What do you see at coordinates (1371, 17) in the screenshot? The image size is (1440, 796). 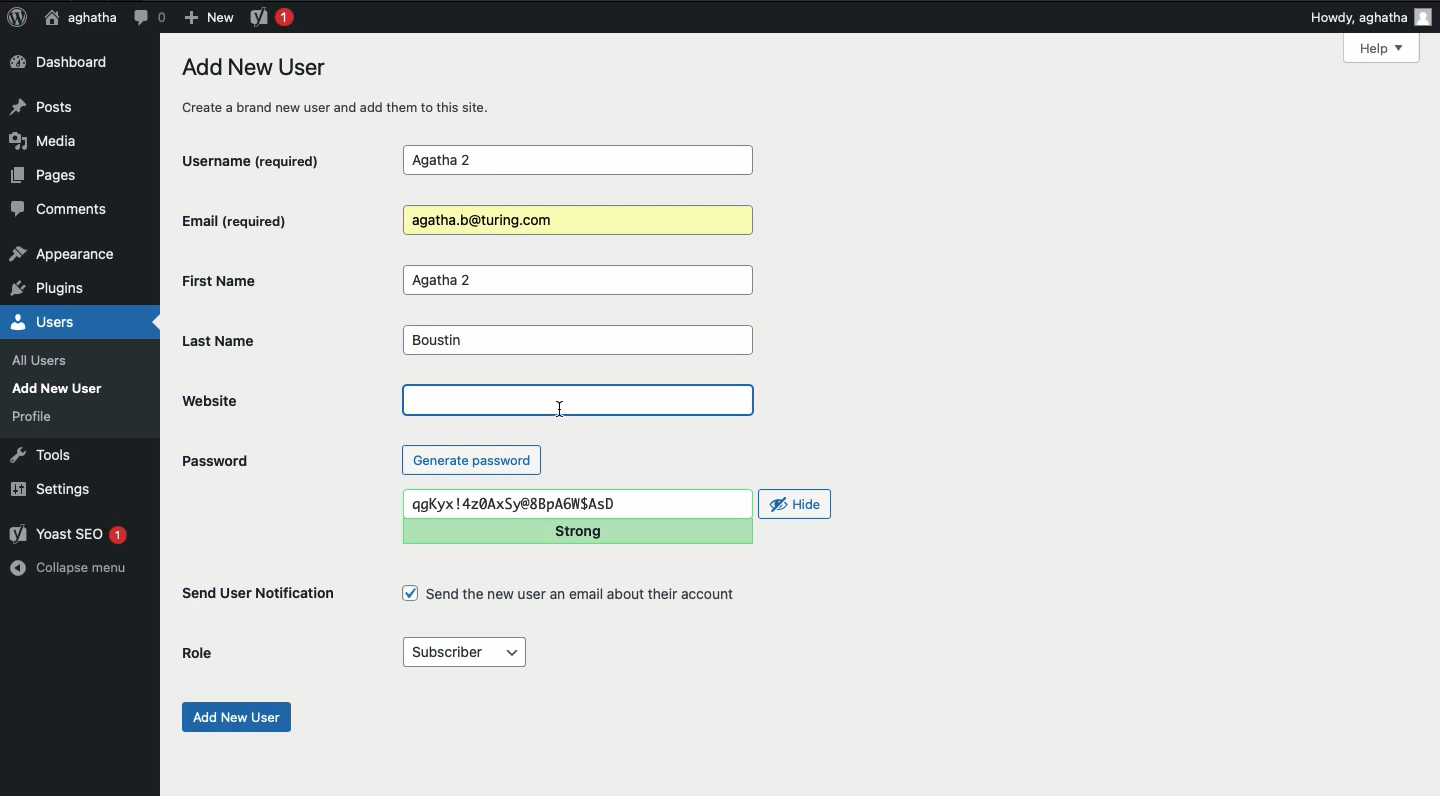 I see `Howdy, aghatha` at bounding box center [1371, 17].